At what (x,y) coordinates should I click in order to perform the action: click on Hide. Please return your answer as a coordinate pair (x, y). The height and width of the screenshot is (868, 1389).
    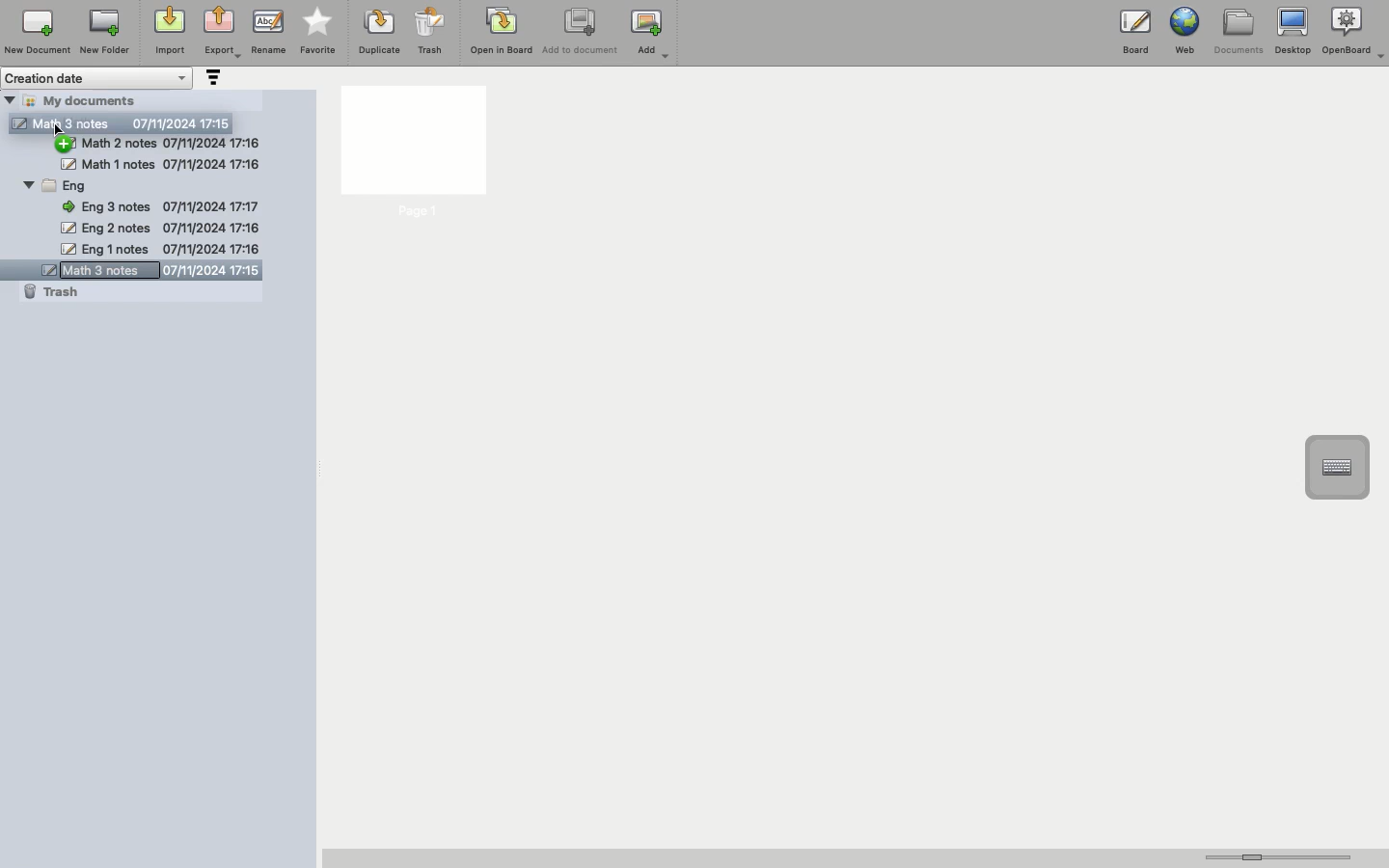
    Looking at the image, I should click on (68, 144).